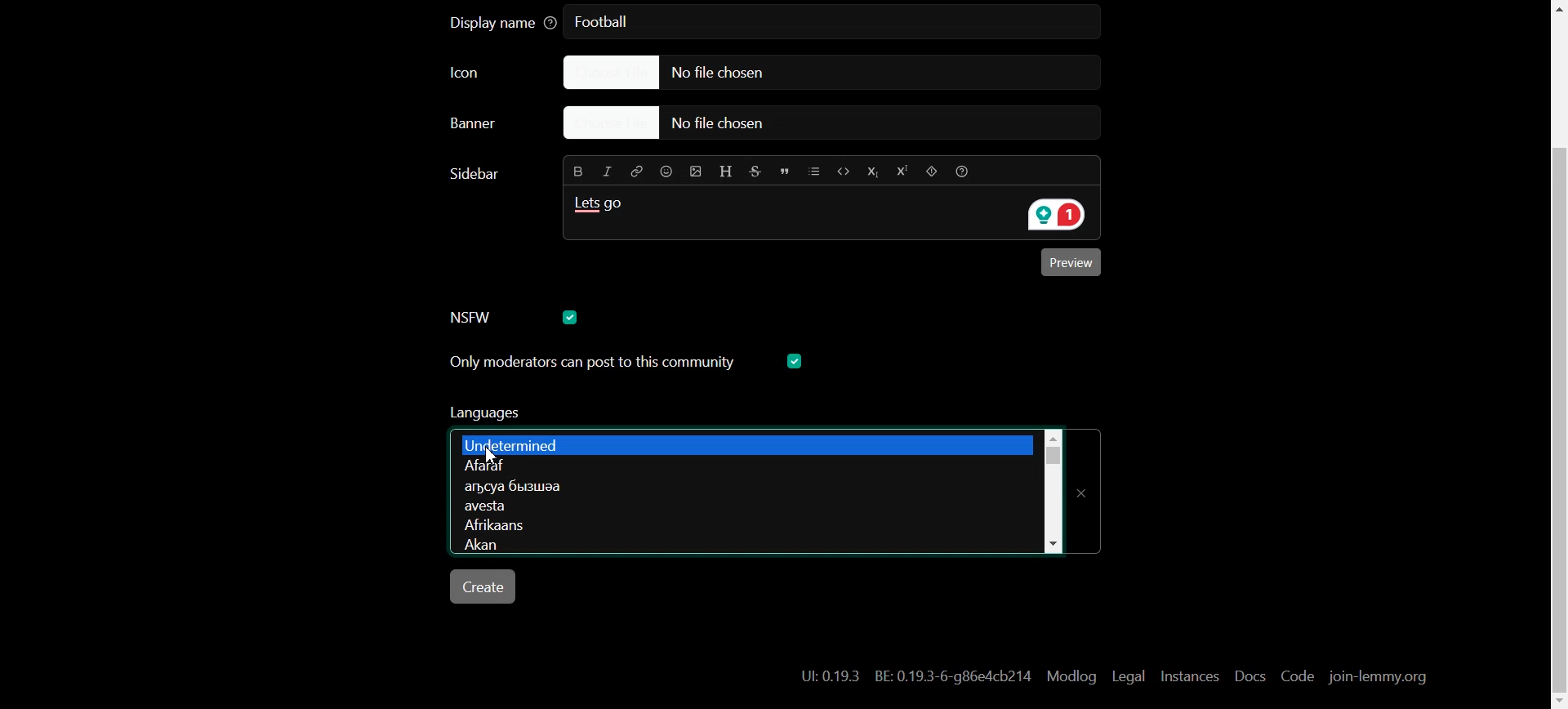 Image resolution: width=1568 pixels, height=709 pixels. Describe the element at coordinates (665, 172) in the screenshot. I see `Emoji` at that location.